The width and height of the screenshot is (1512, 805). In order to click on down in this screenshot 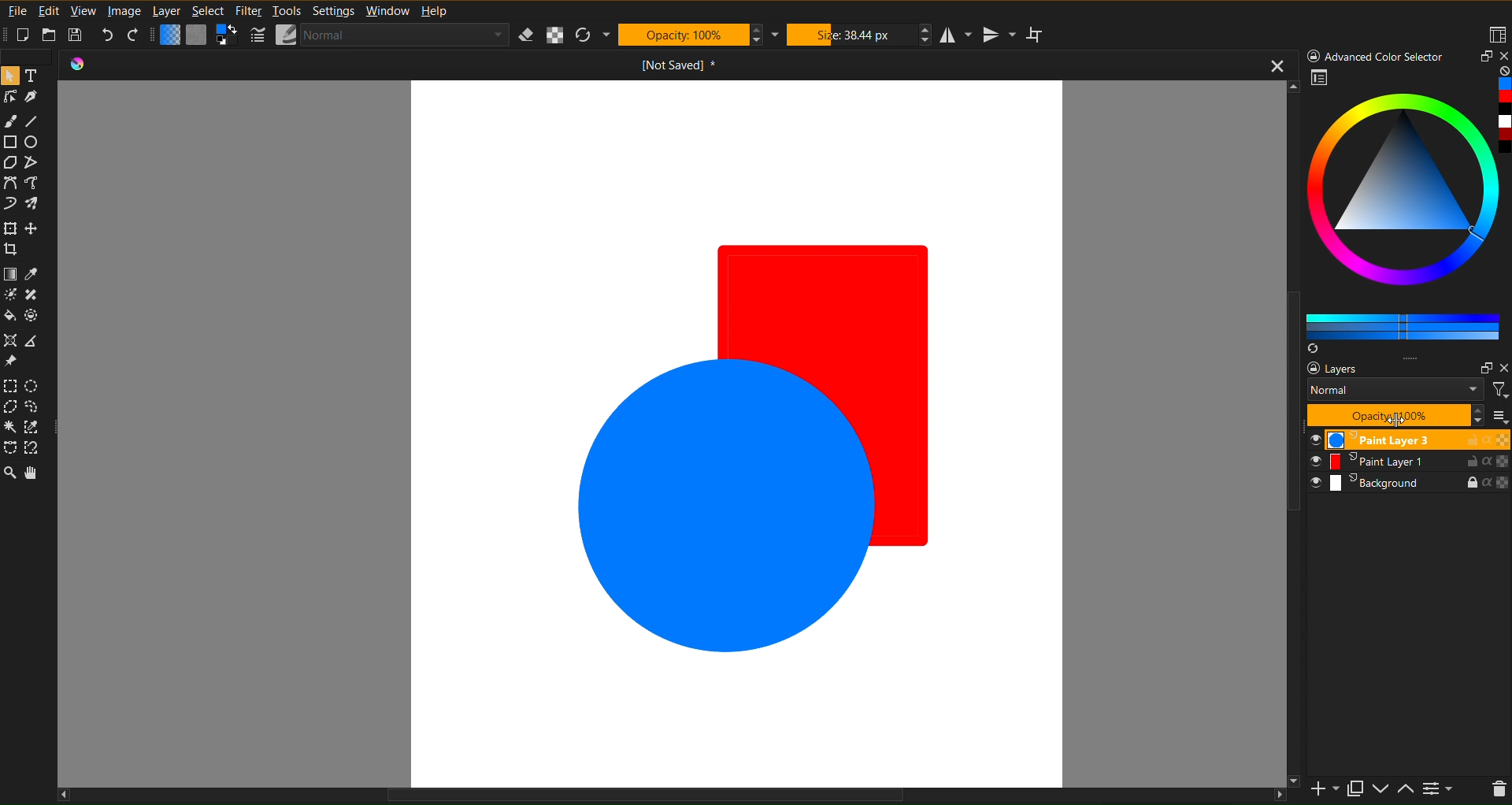, I will do `click(1382, 788)`.